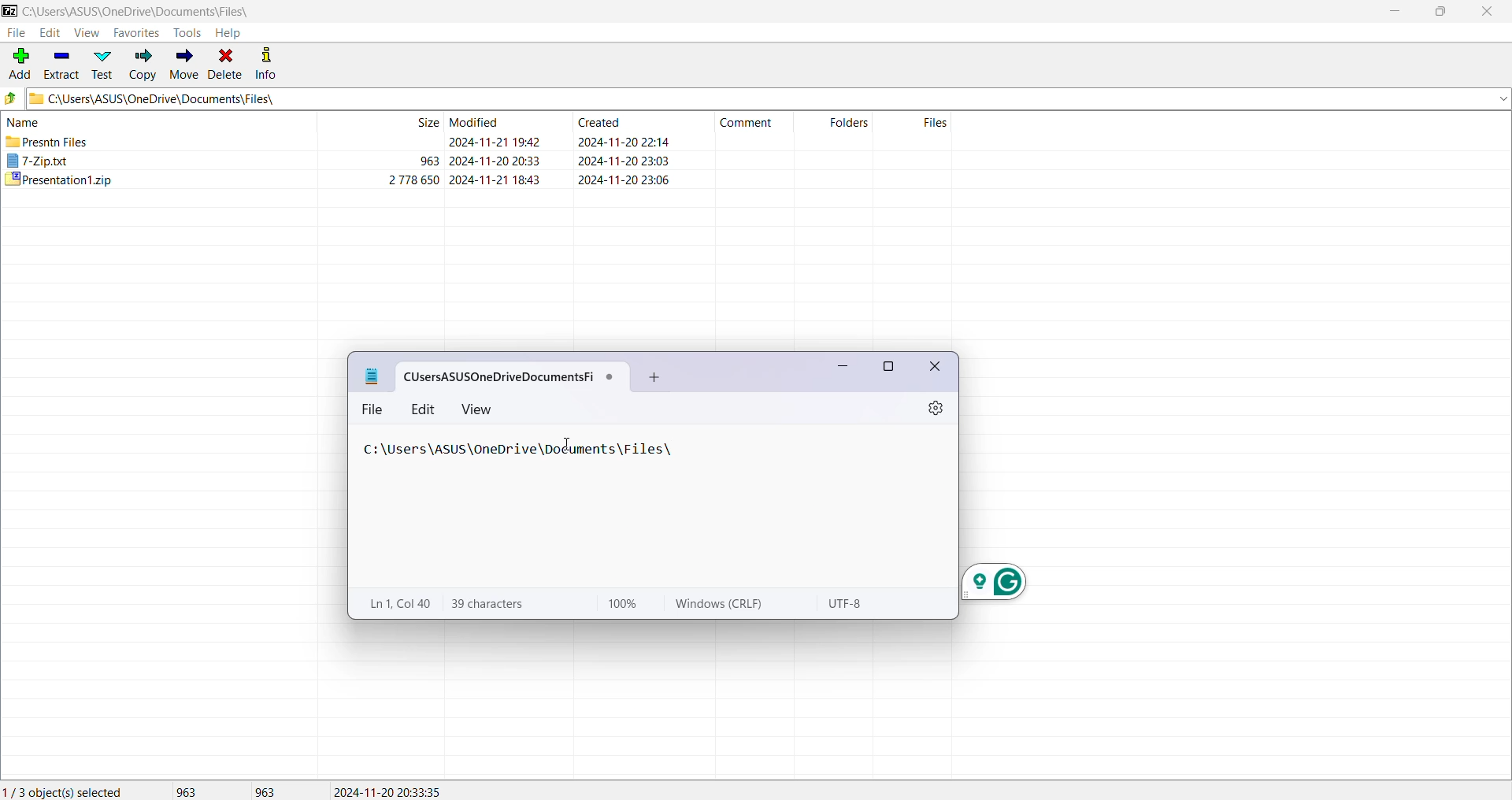 The width and height of the screenshot is (1512, 800). Describe the element at coordinates (889, 367) in the screenshot. I see `Maximize` at that location.